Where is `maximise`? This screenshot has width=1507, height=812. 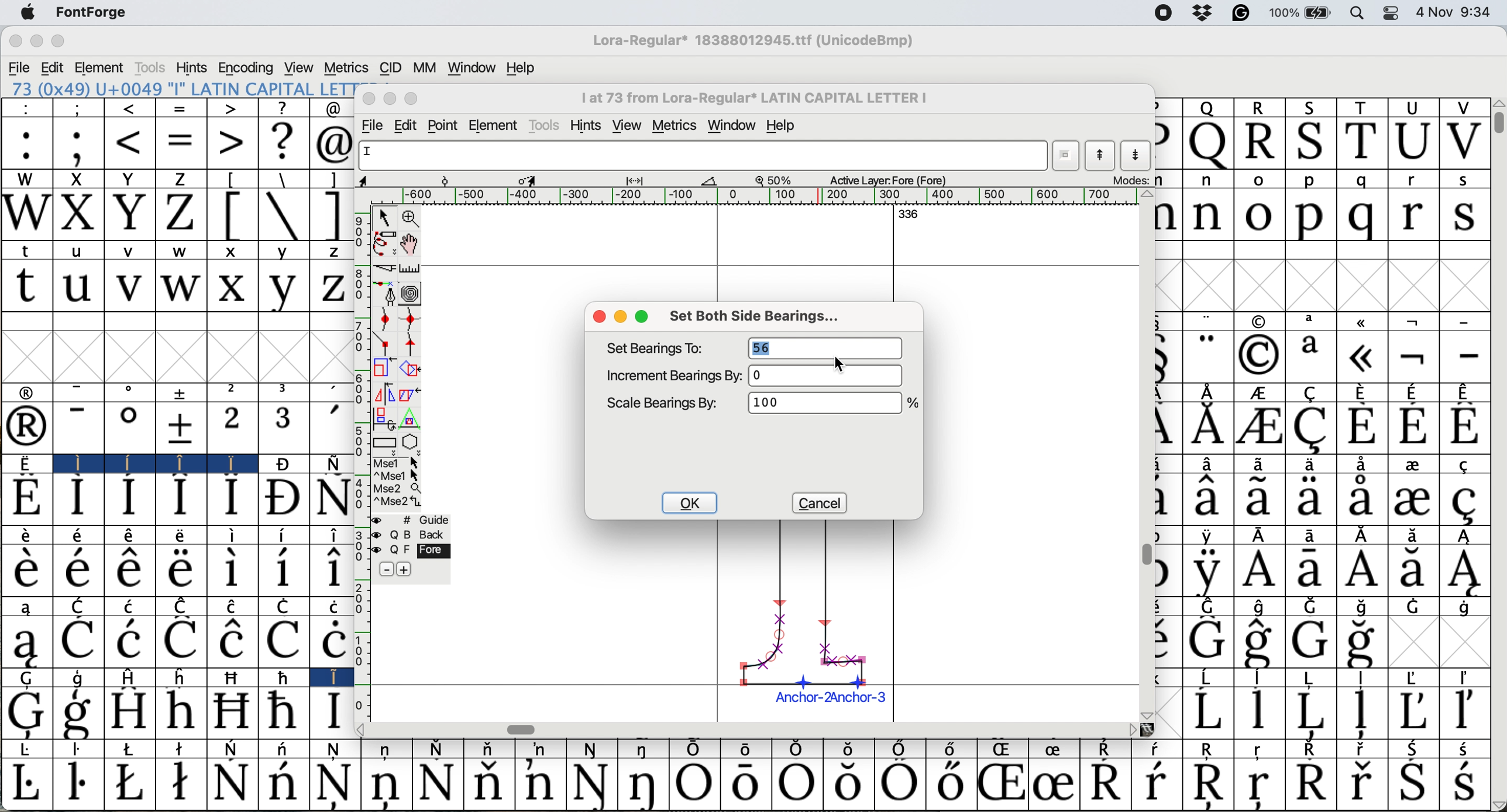 maximise is located at coordinates (411, 98).